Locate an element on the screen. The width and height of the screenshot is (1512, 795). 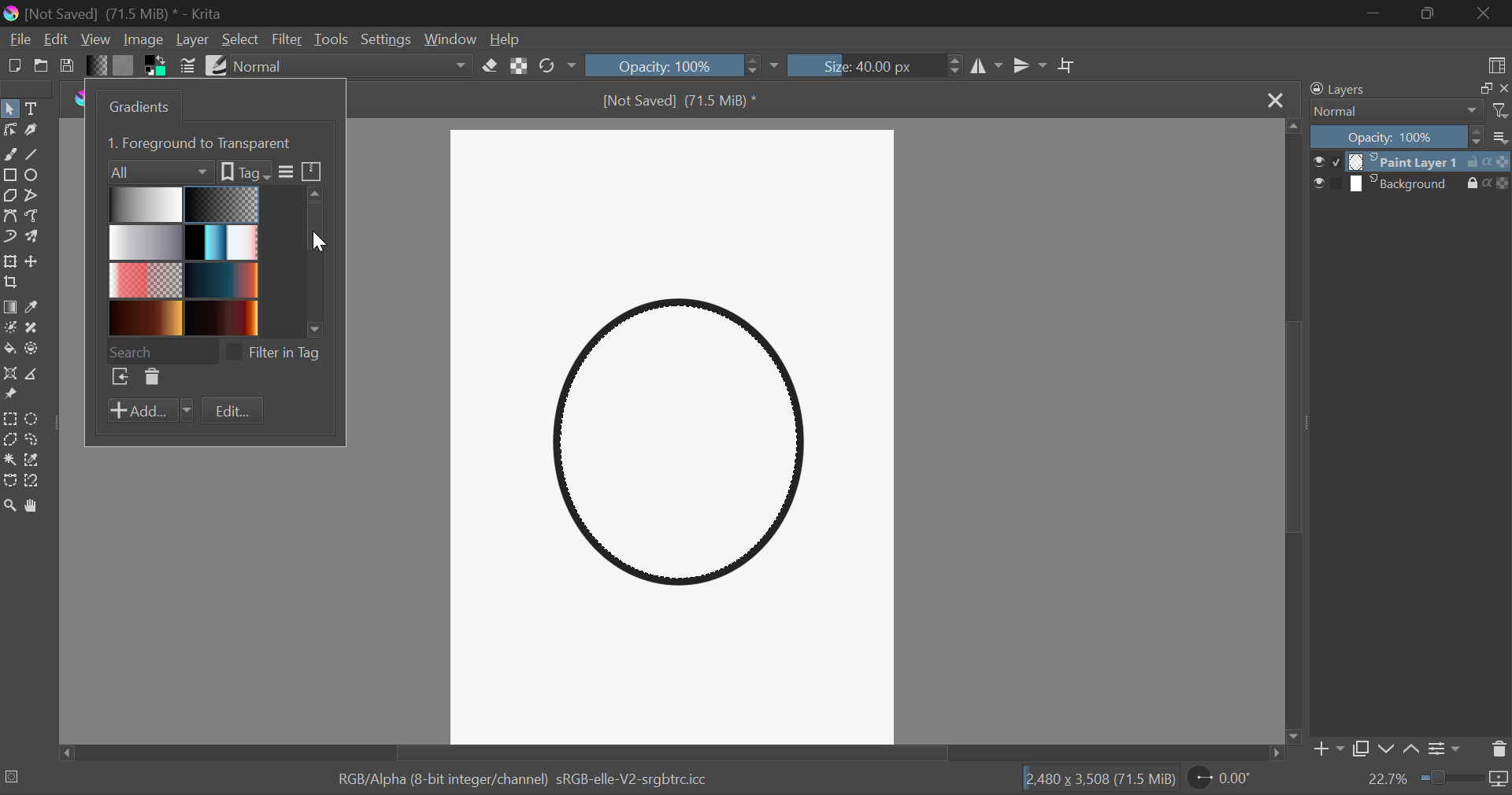
Circular Selection is located at coordinates (35, 417).